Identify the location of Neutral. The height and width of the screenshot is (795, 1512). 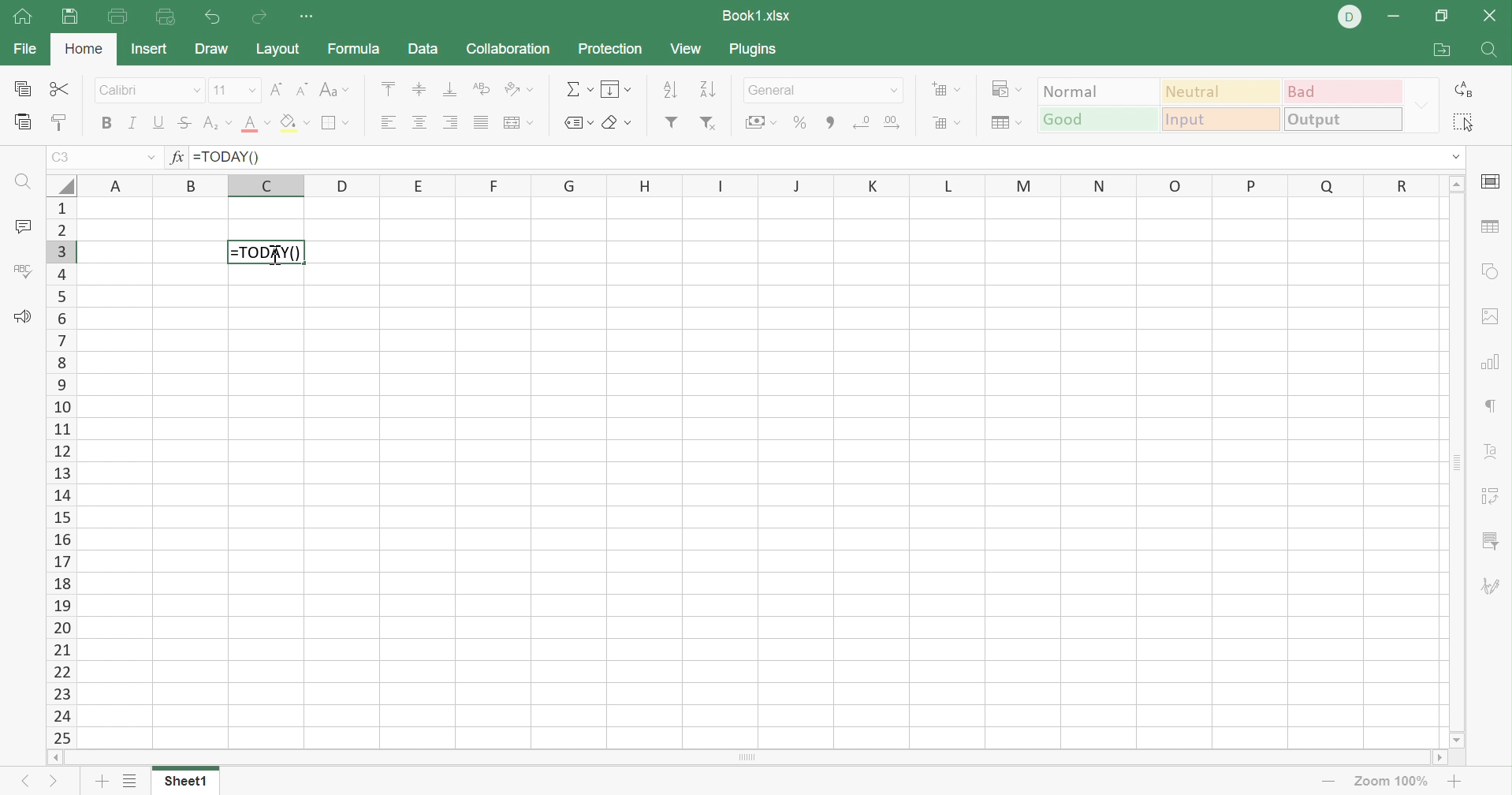
(1223, 94).